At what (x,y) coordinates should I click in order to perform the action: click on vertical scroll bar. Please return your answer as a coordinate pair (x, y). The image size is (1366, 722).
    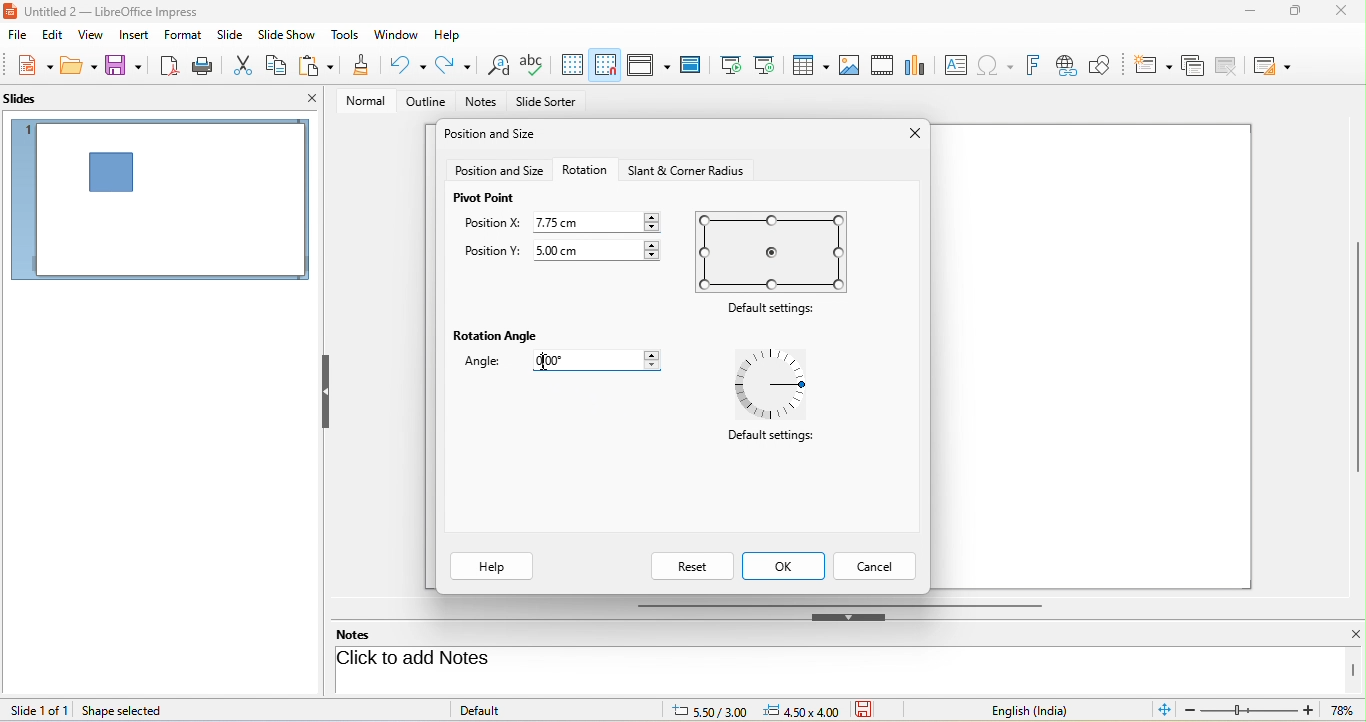
    Looking at the image, I should click on (1357, 357).